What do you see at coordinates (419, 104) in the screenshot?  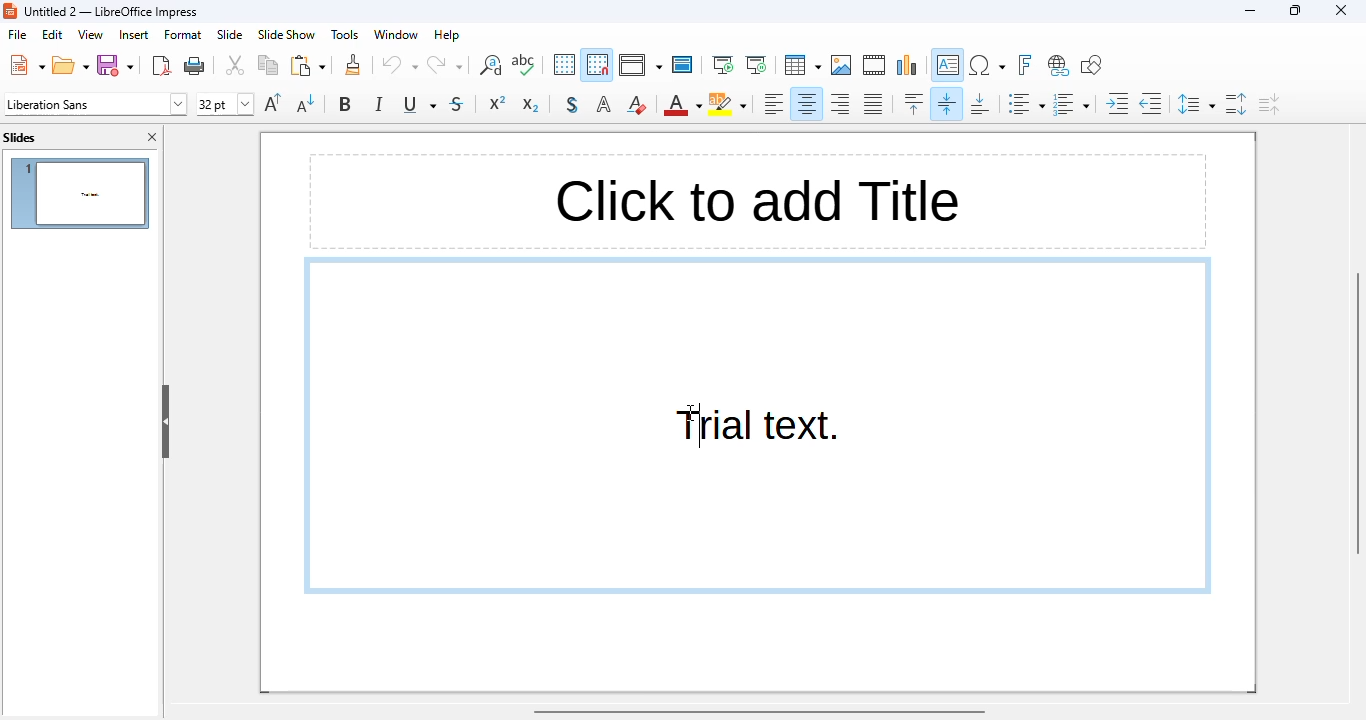 I see `underline` at bounding box center [419, 104].